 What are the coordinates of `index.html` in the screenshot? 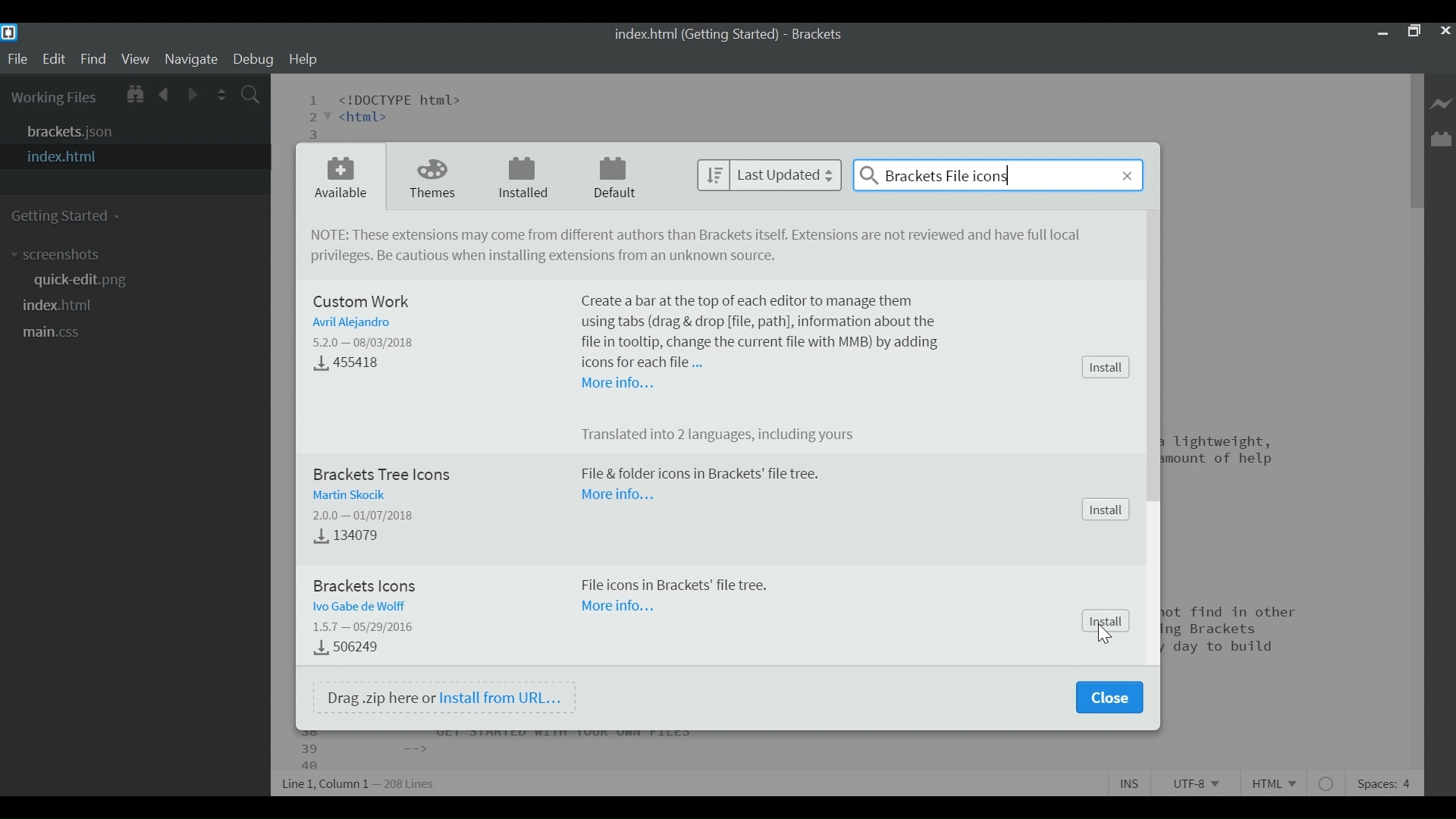 It's located at (131, 156).